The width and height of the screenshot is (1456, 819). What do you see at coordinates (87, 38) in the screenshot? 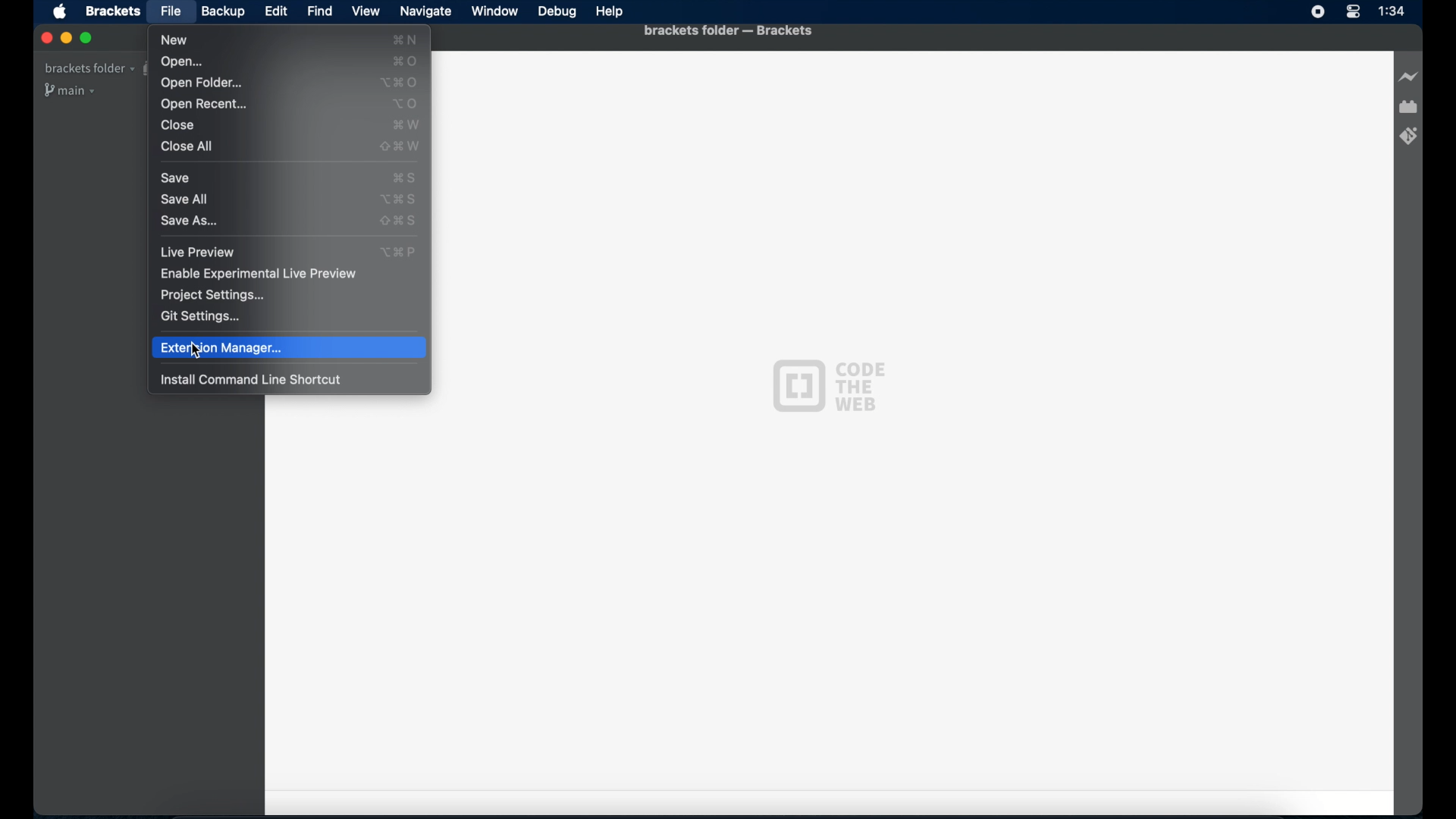
I see `Maximize` at bounding box center [87, 38].